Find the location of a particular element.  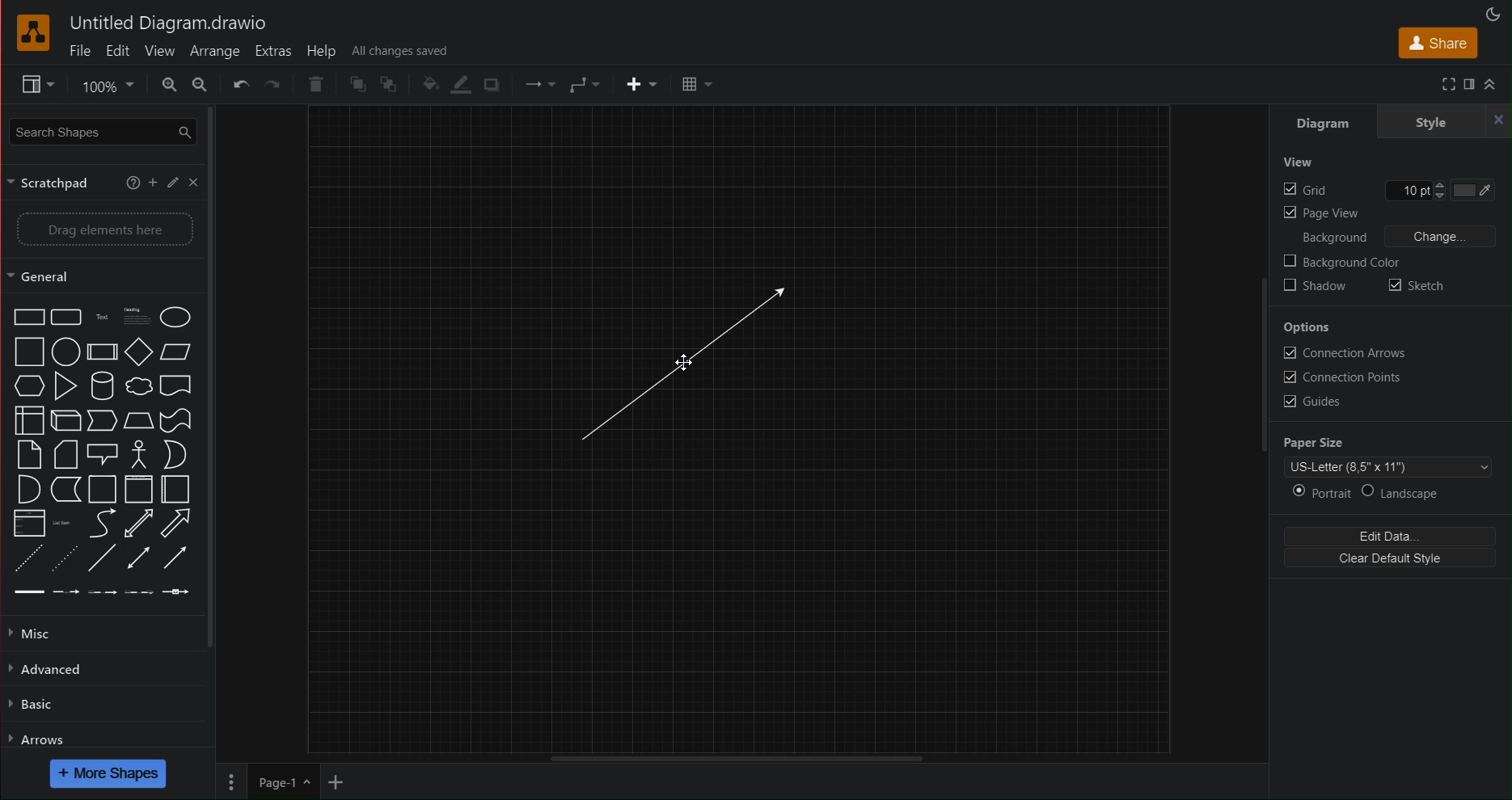

More Shapes is located at coordinates (109, 773).